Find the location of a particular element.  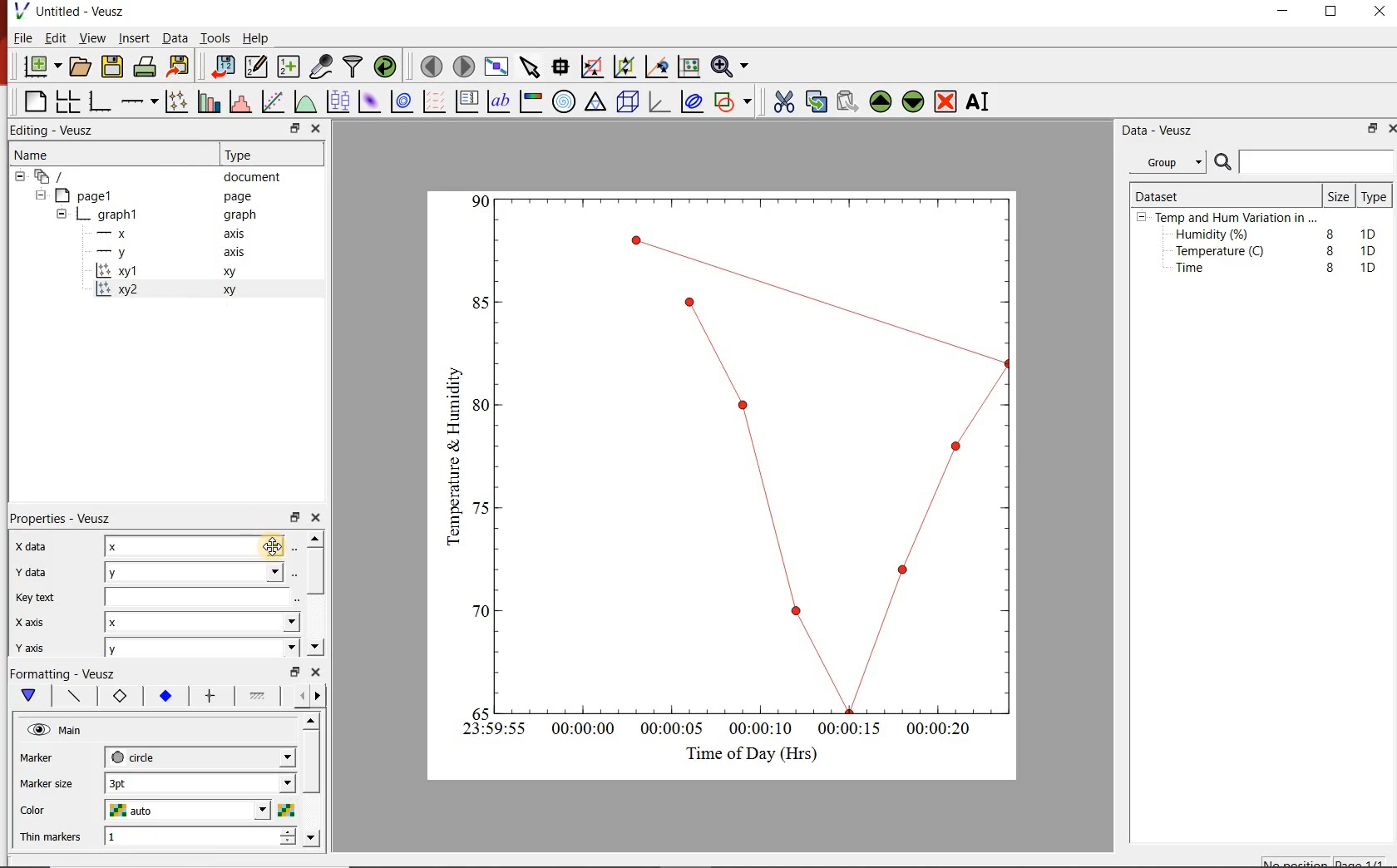

0.8 is located at coordinates (479, 302).